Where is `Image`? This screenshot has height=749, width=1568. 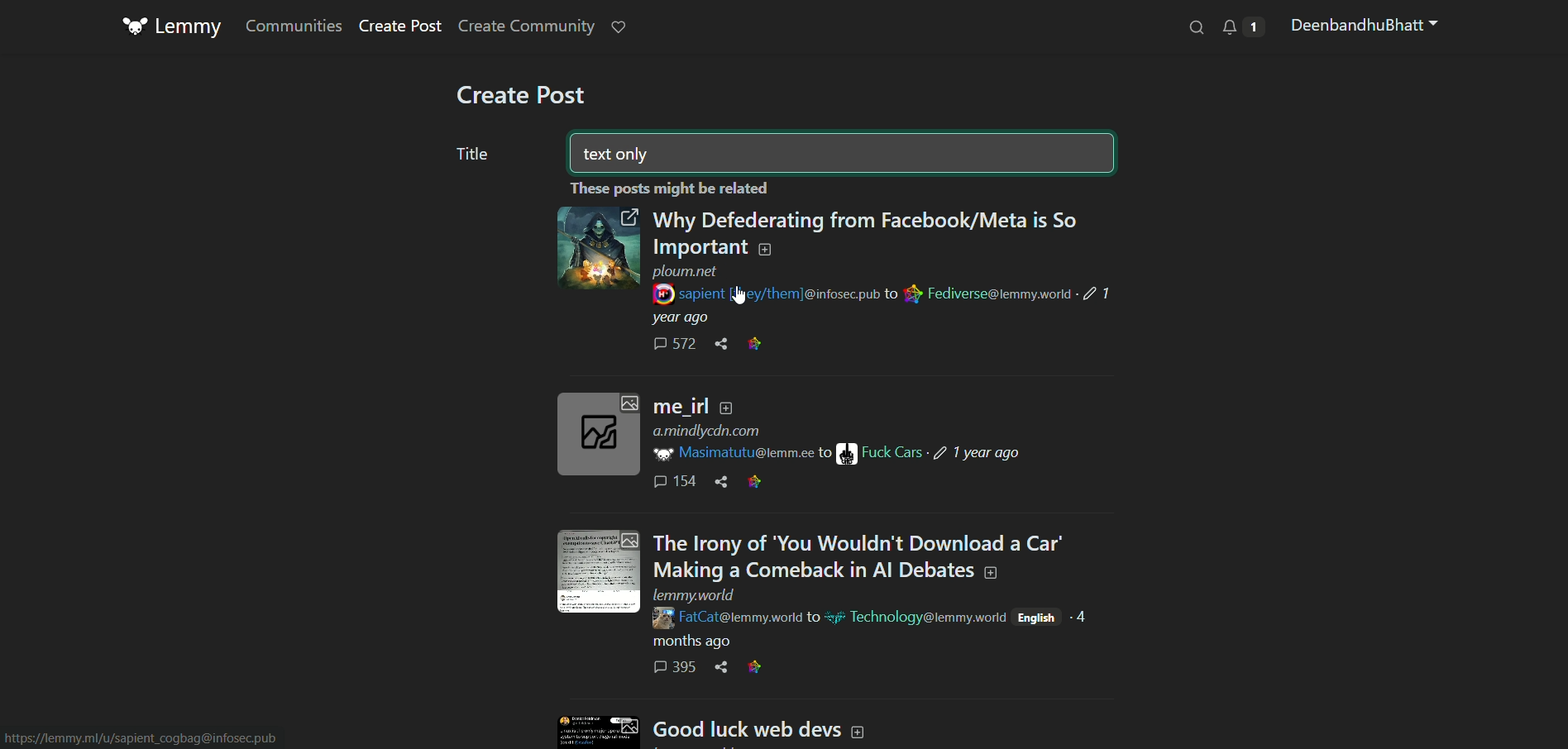 Image is located at coordinates (846, 454).